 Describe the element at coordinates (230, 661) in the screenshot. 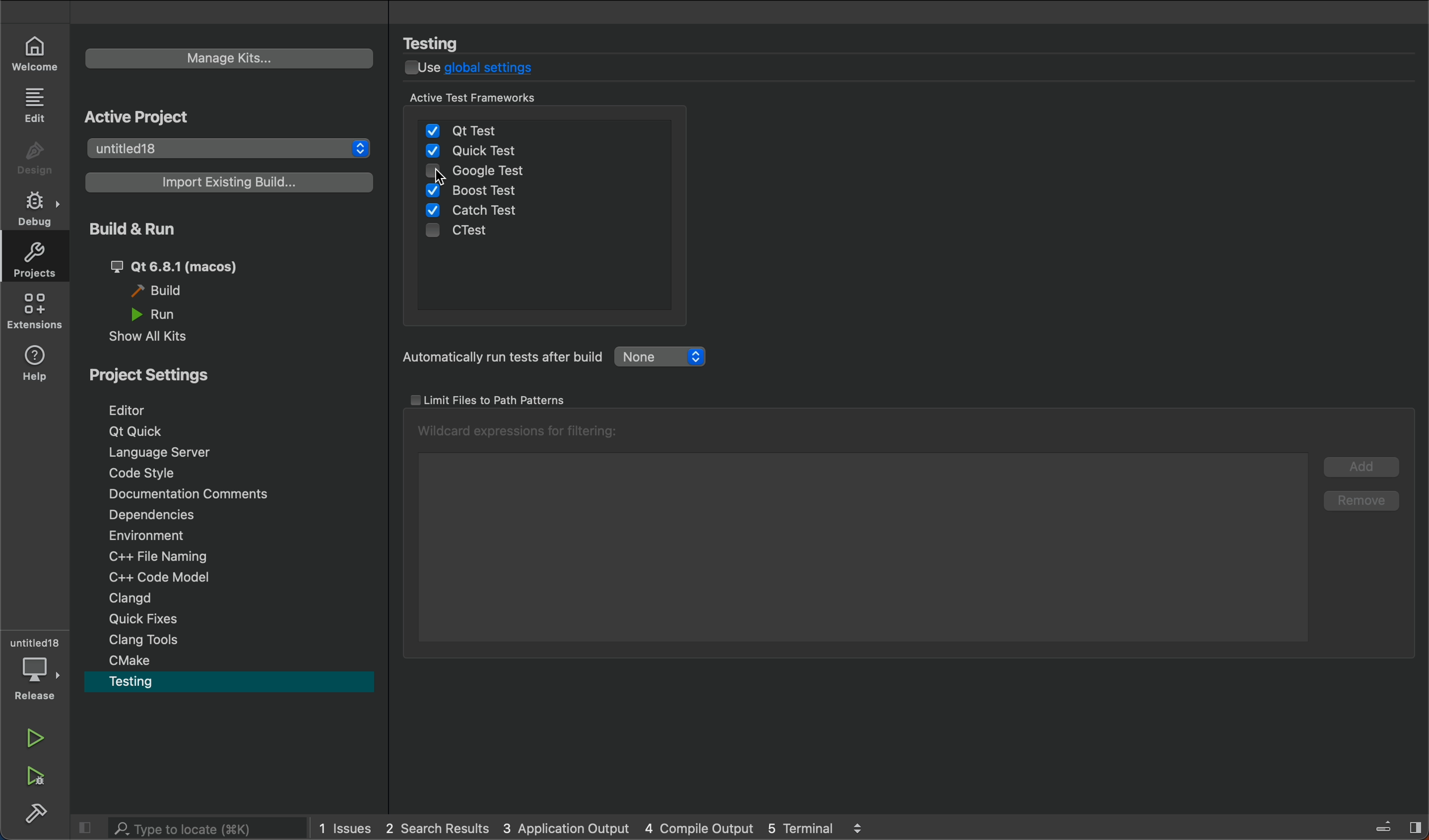

I see `cmake` at that location.